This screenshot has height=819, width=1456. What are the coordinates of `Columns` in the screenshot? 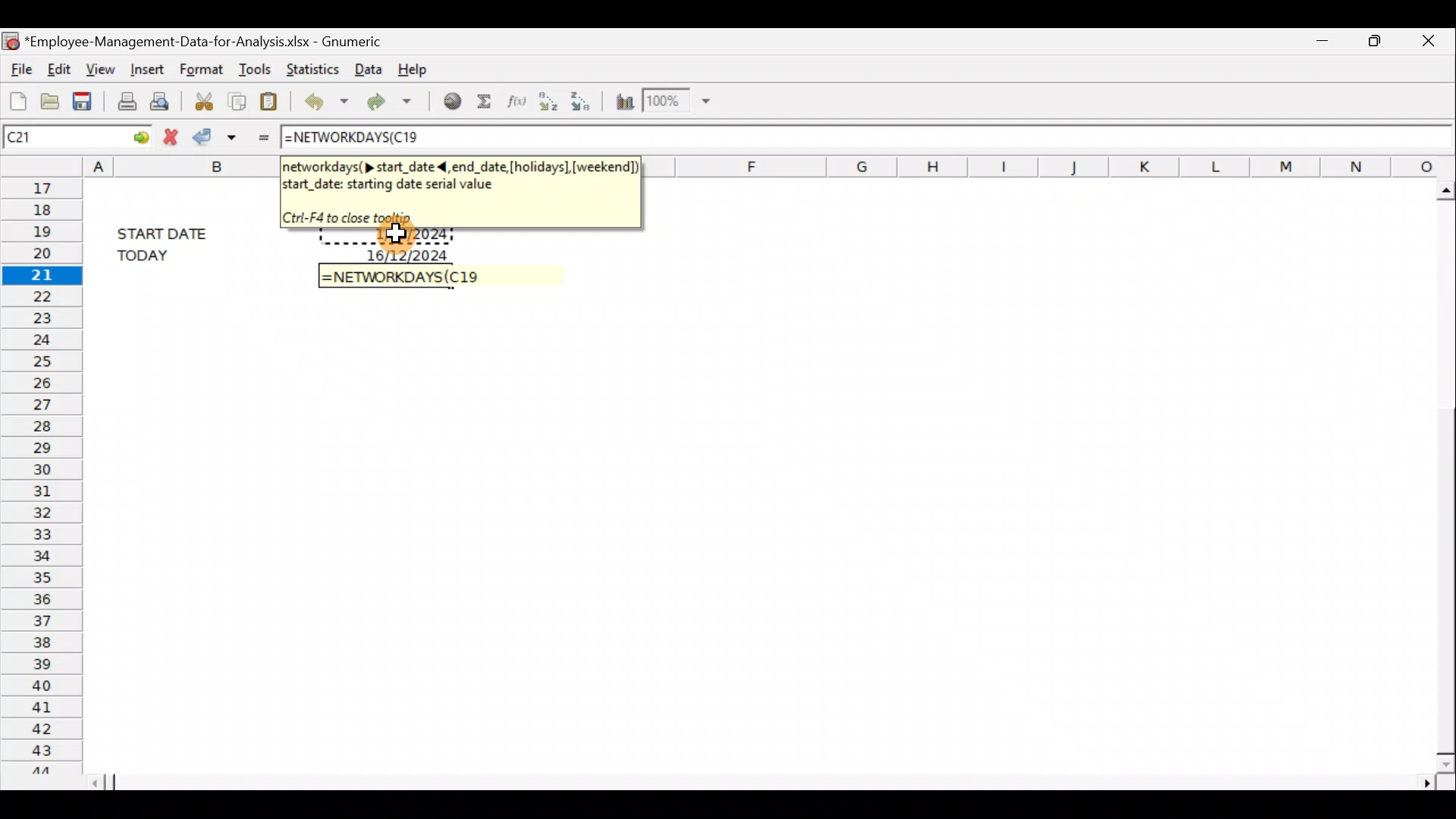 It's located at (1056, 165).